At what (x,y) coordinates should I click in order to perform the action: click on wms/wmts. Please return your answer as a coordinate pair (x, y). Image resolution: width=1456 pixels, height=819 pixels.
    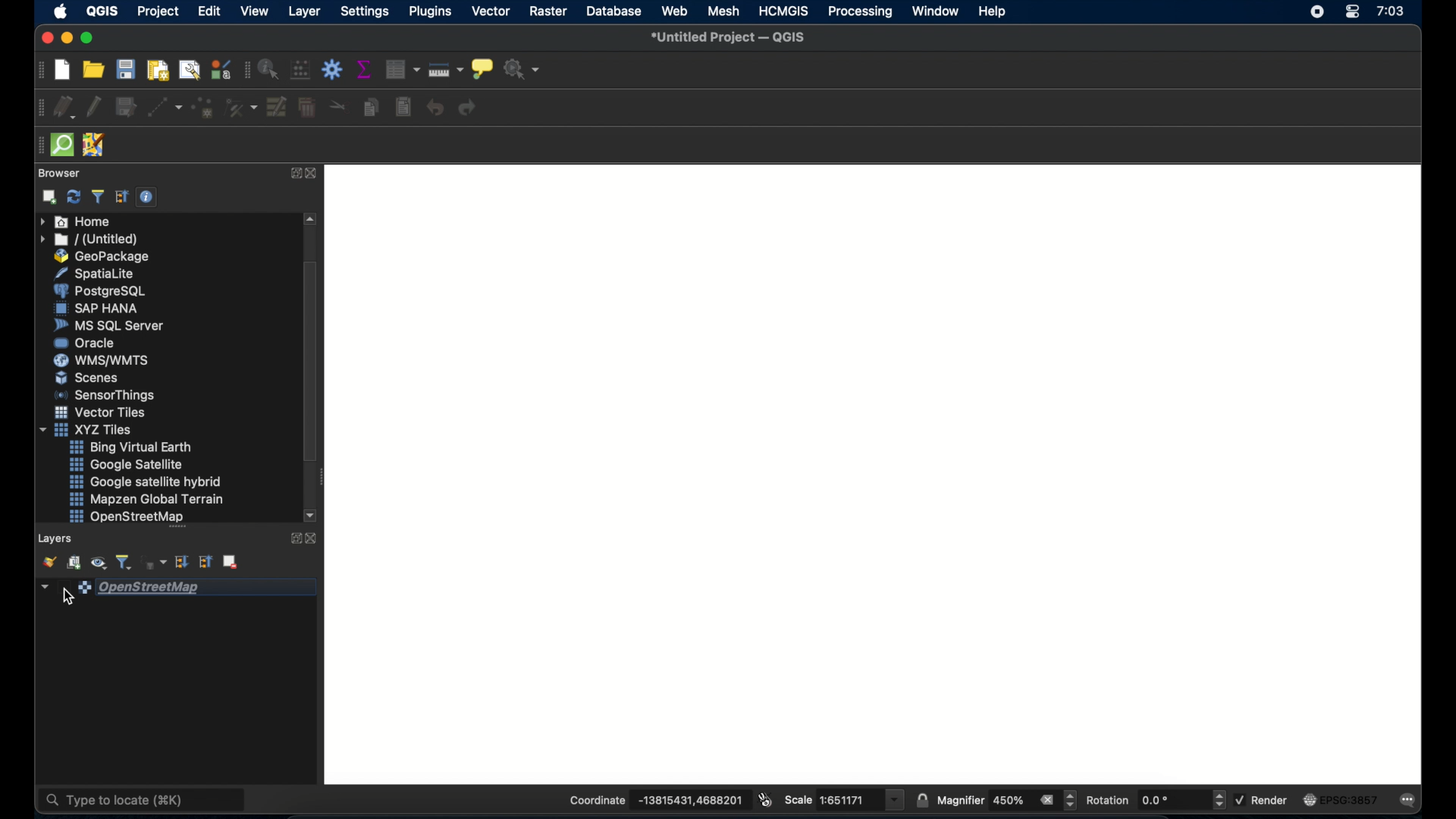
    Looking at the image, I should click on (98, 359).